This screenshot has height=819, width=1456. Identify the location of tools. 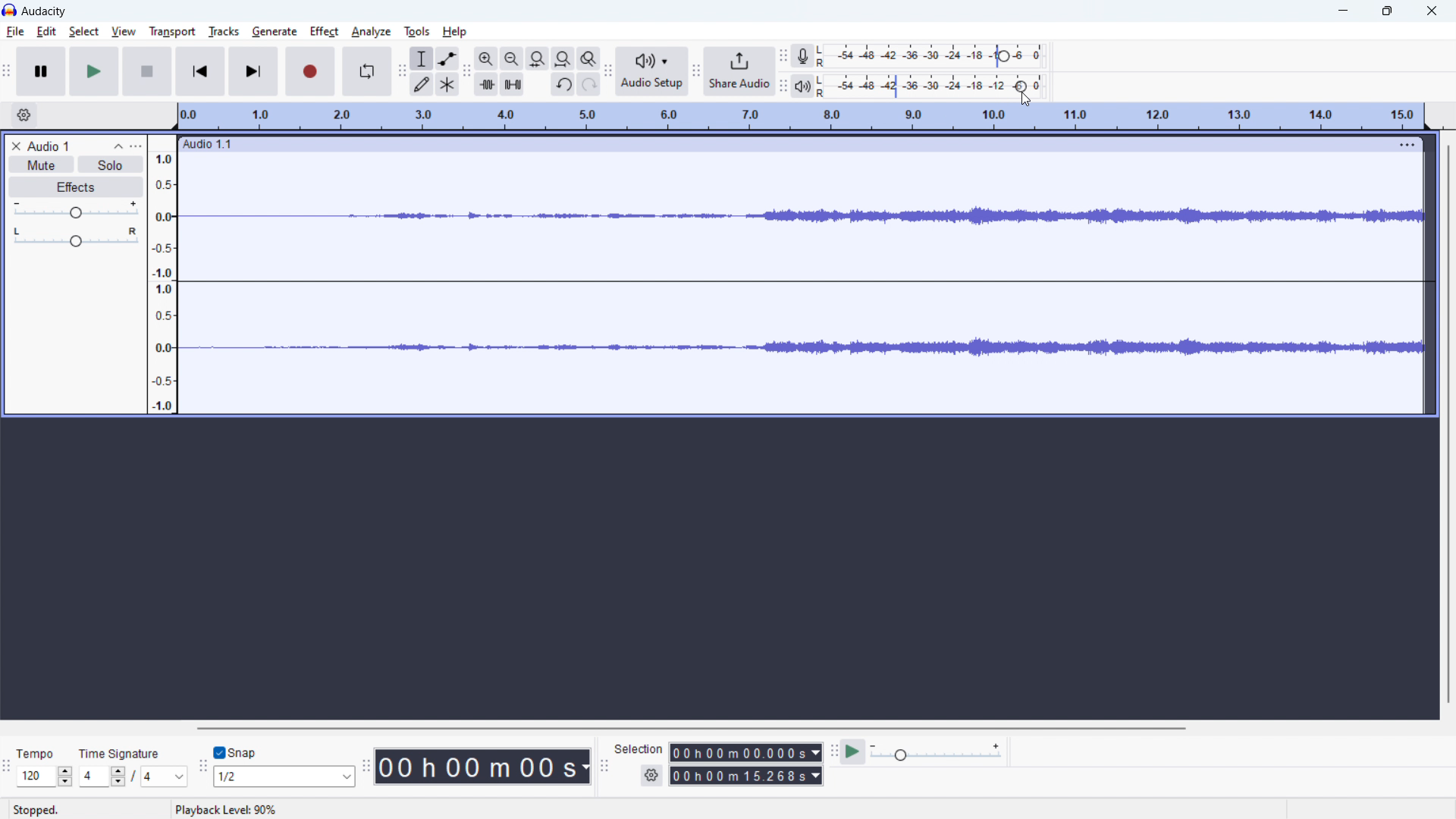
(417, 31).